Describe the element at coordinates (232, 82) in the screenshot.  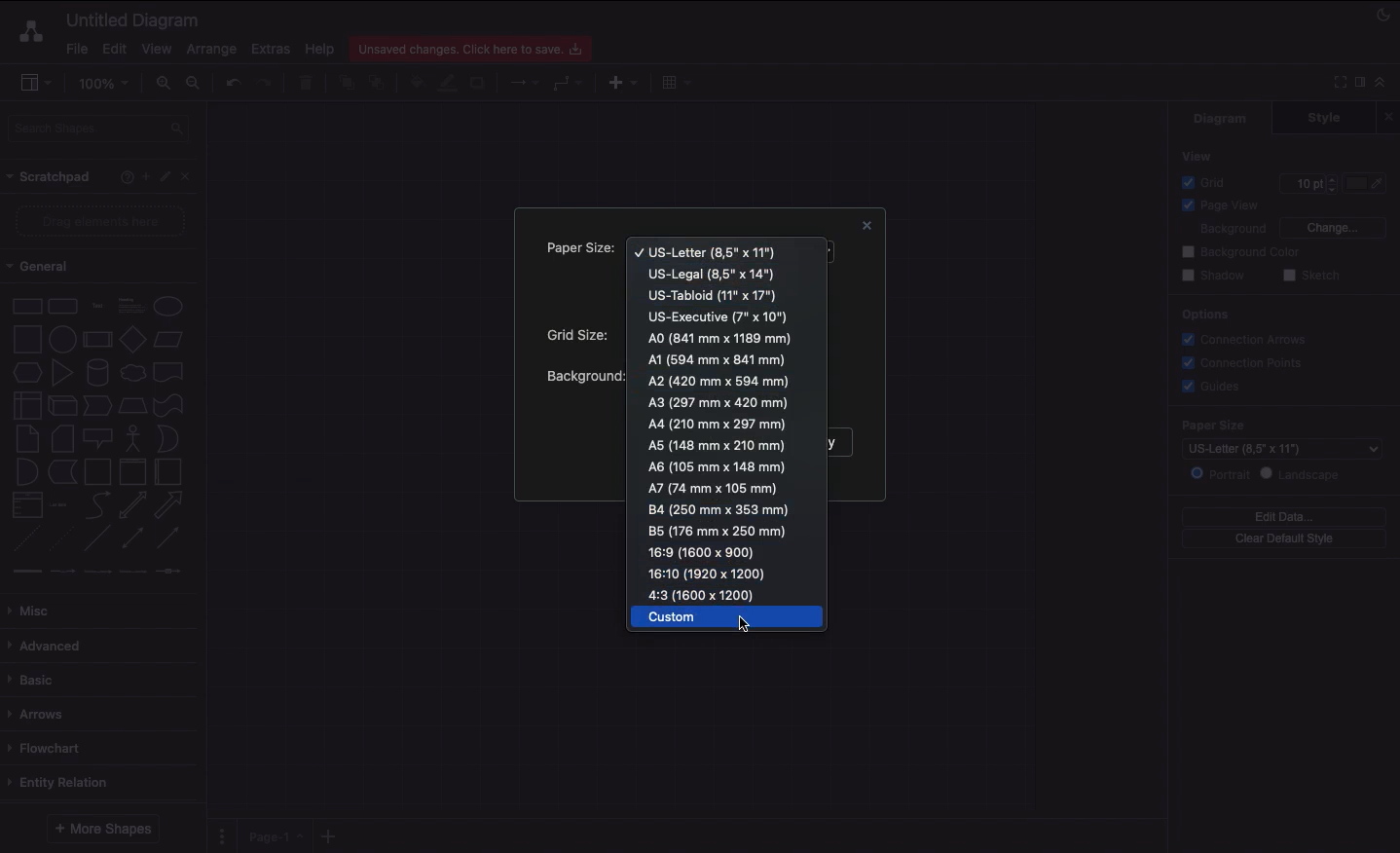
I see `Undo` at that location.